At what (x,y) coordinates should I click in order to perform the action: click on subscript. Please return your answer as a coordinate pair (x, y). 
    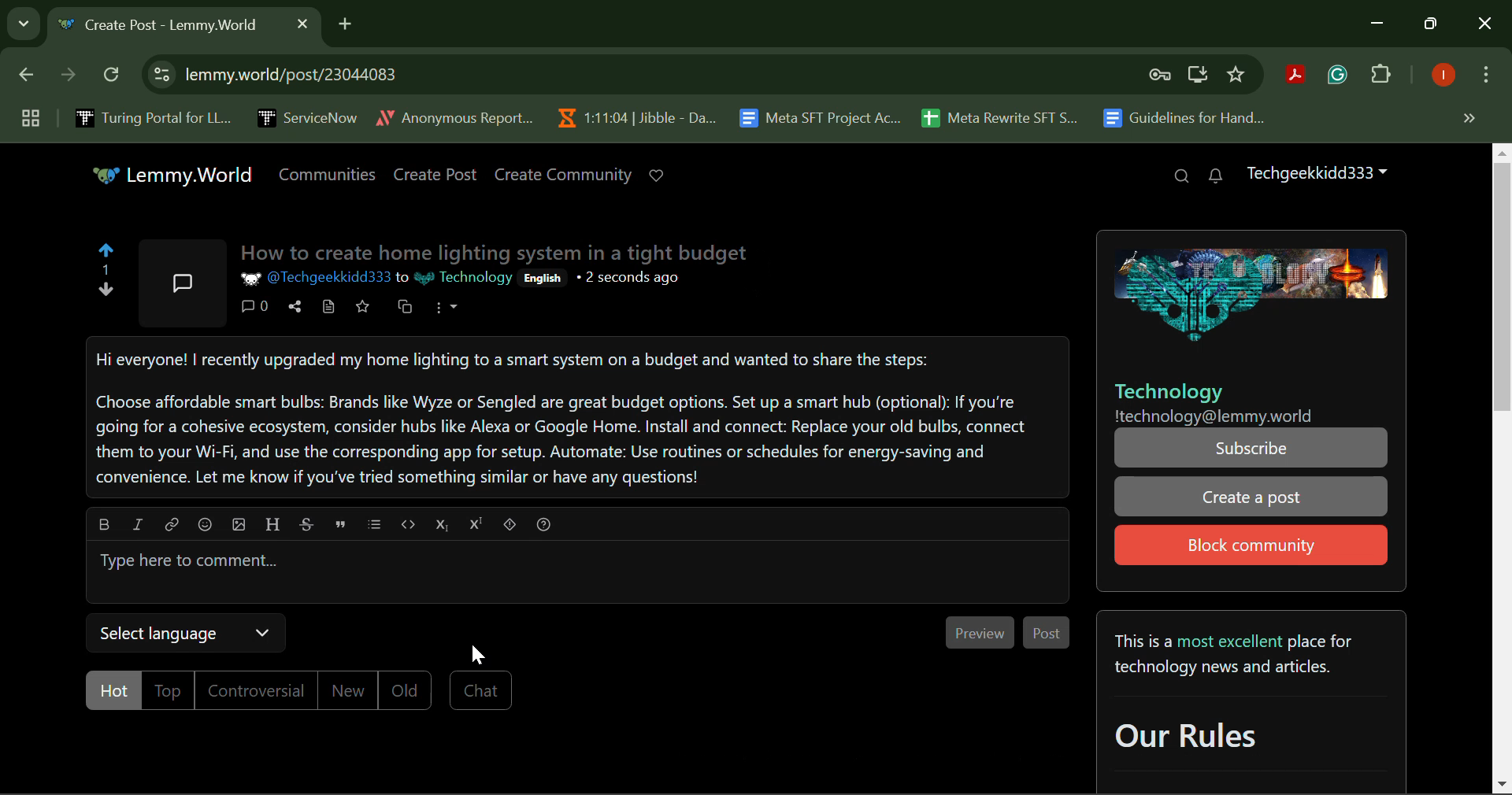
    Looking at the image, I should click on (444, 524).